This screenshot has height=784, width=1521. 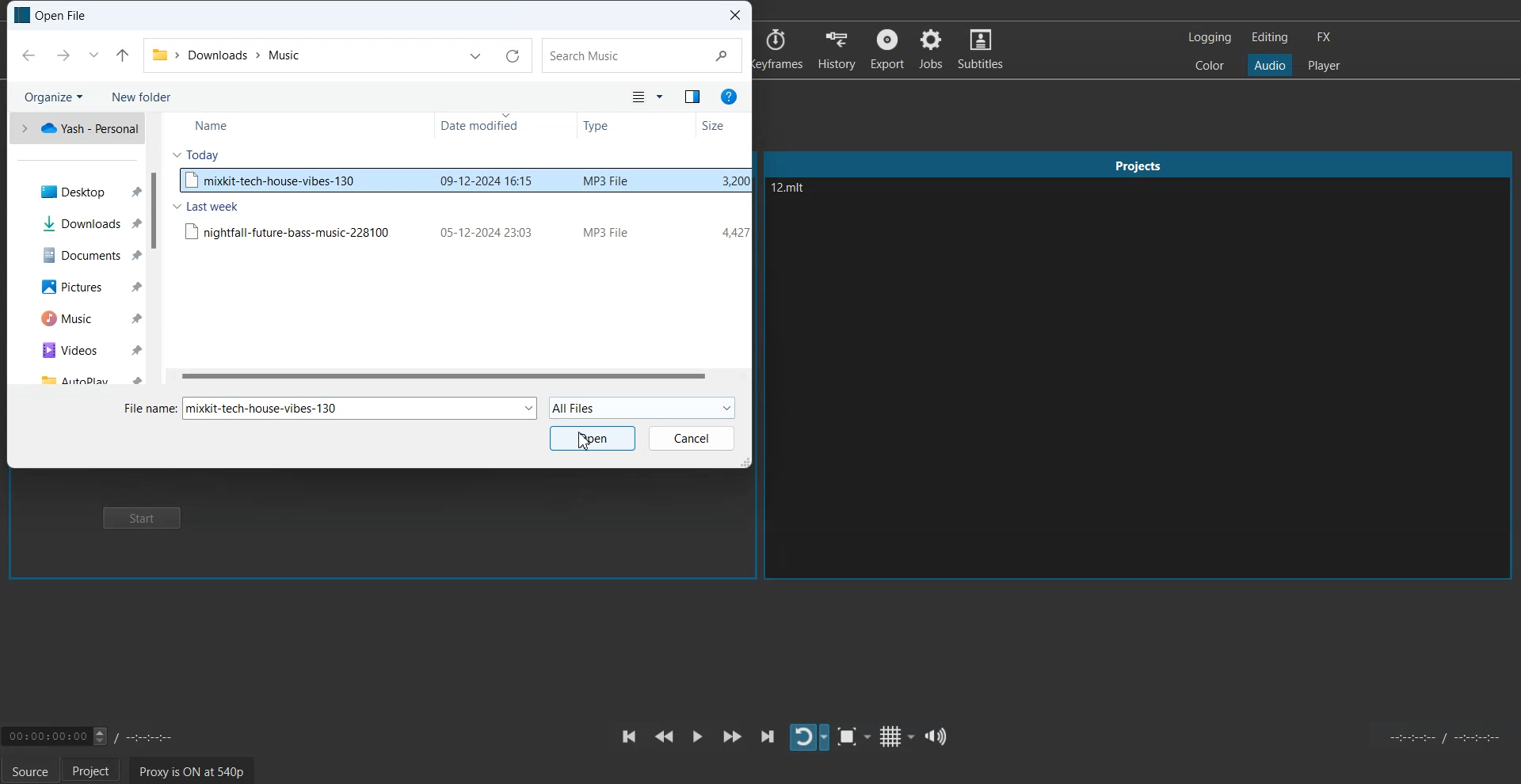 I want to click on Project, so click(x=96, y=771).